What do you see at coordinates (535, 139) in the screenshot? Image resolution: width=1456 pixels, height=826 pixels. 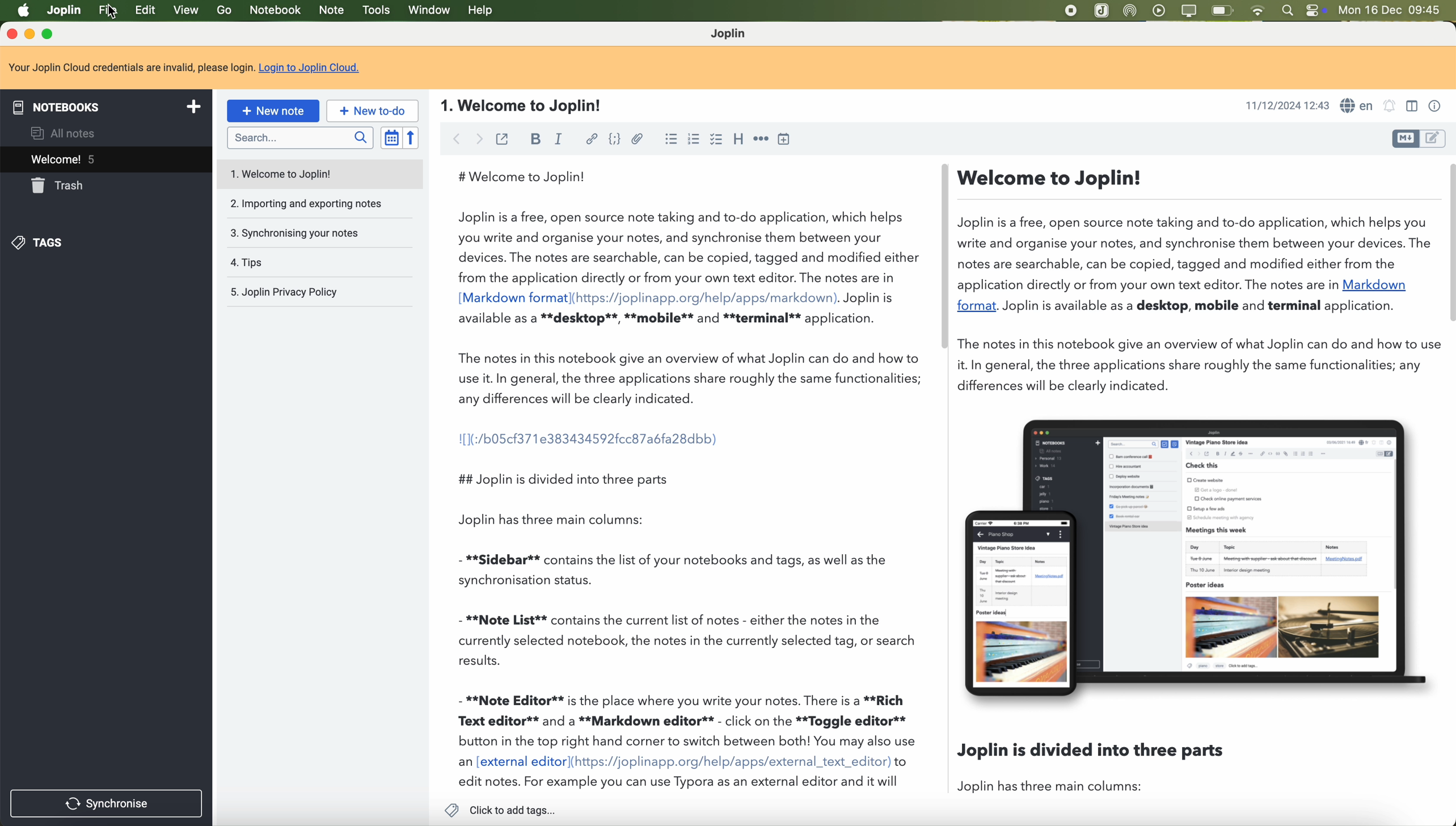 I see `bold` at bounding box center [535, 139].